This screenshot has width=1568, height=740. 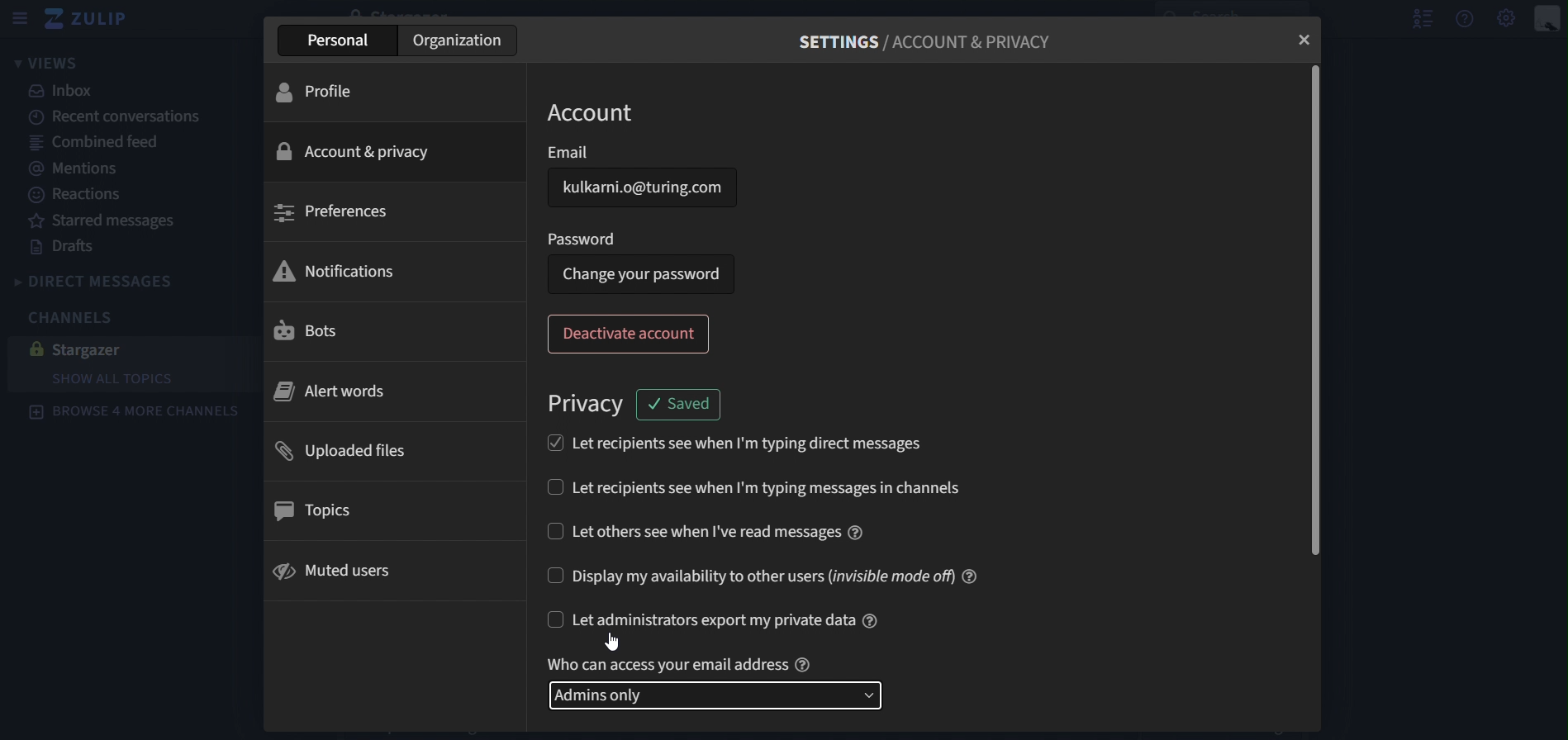 What do you see at coordinates (568, 152) in the screenshot?
I see `email` at bounding box center [568, 152].